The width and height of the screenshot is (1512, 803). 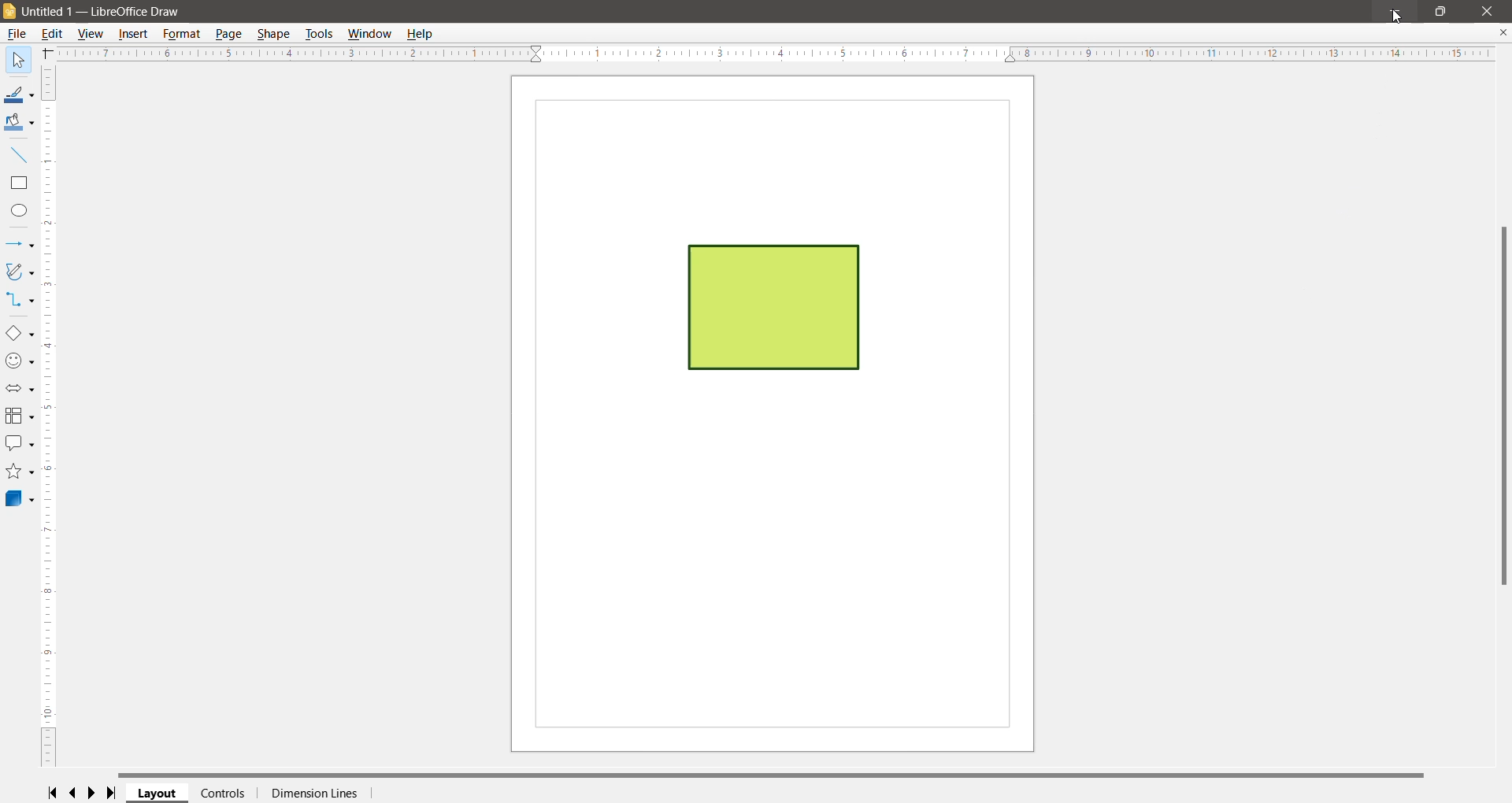 I want to click on Window, so click(x=371, y=34).